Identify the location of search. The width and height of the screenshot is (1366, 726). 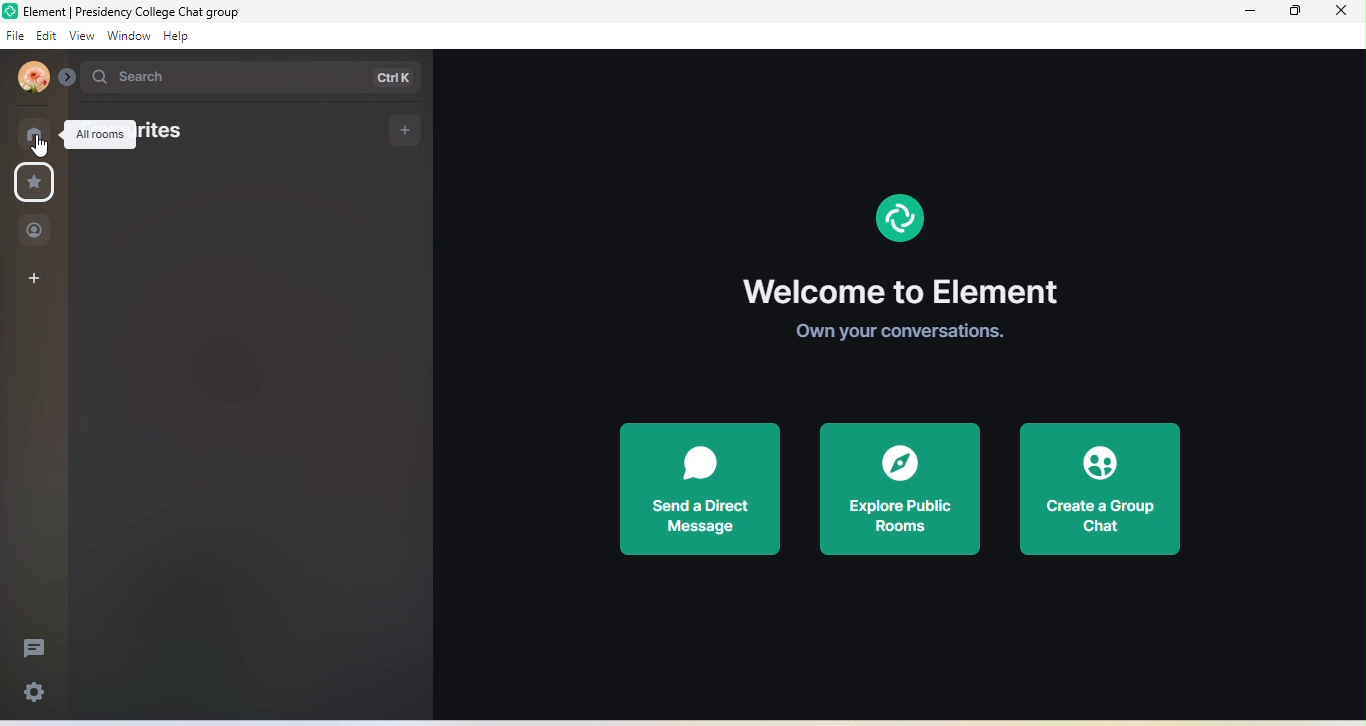
(253, 79).